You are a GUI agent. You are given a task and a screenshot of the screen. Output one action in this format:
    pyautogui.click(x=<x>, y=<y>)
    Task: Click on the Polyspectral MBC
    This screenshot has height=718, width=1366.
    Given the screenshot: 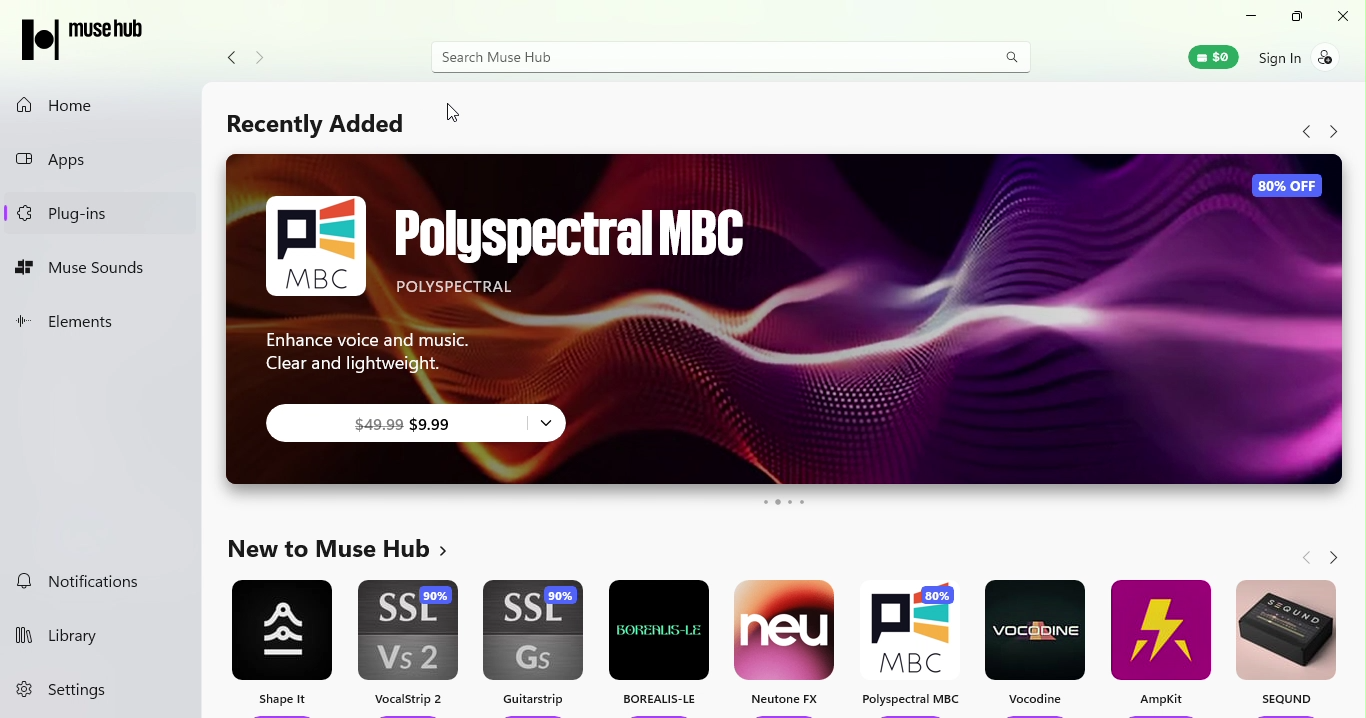 What is the action you would take?
    pyautogui.click(x=909, y=646)
    